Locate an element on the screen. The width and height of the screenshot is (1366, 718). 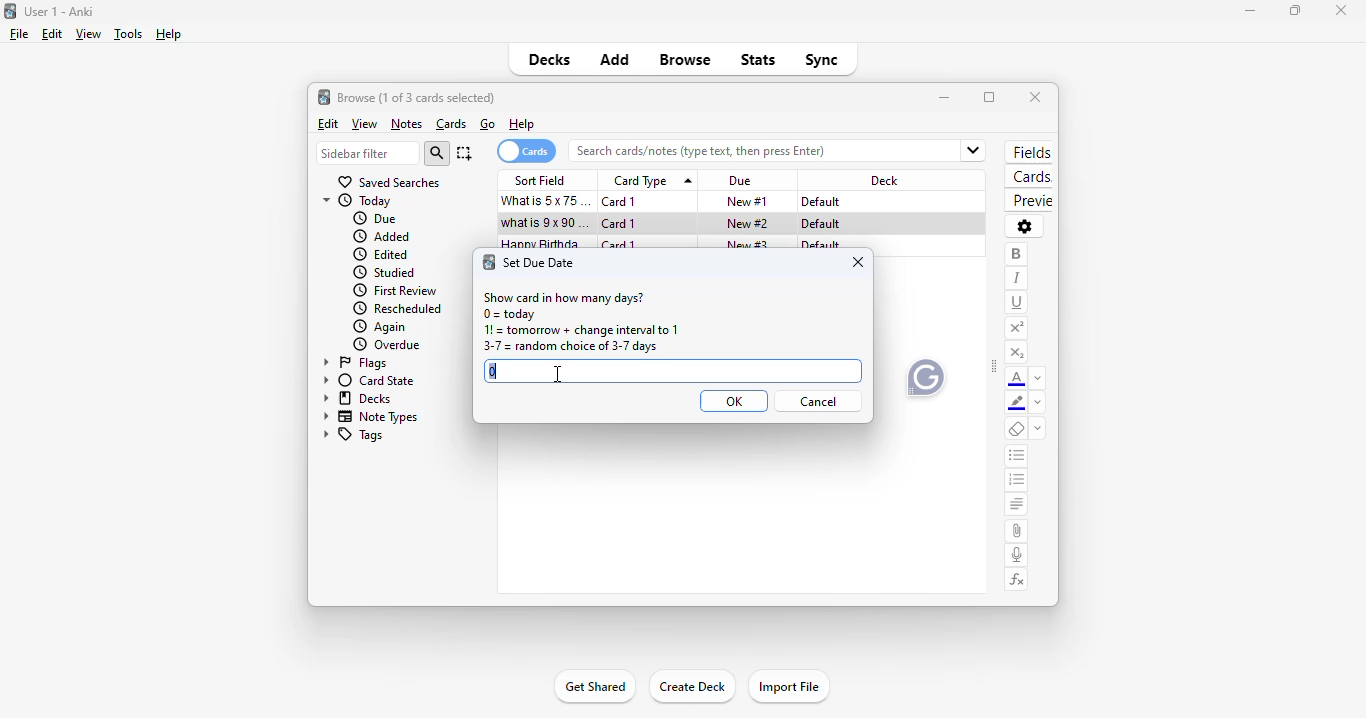
again is located at coordinates (379, 327).